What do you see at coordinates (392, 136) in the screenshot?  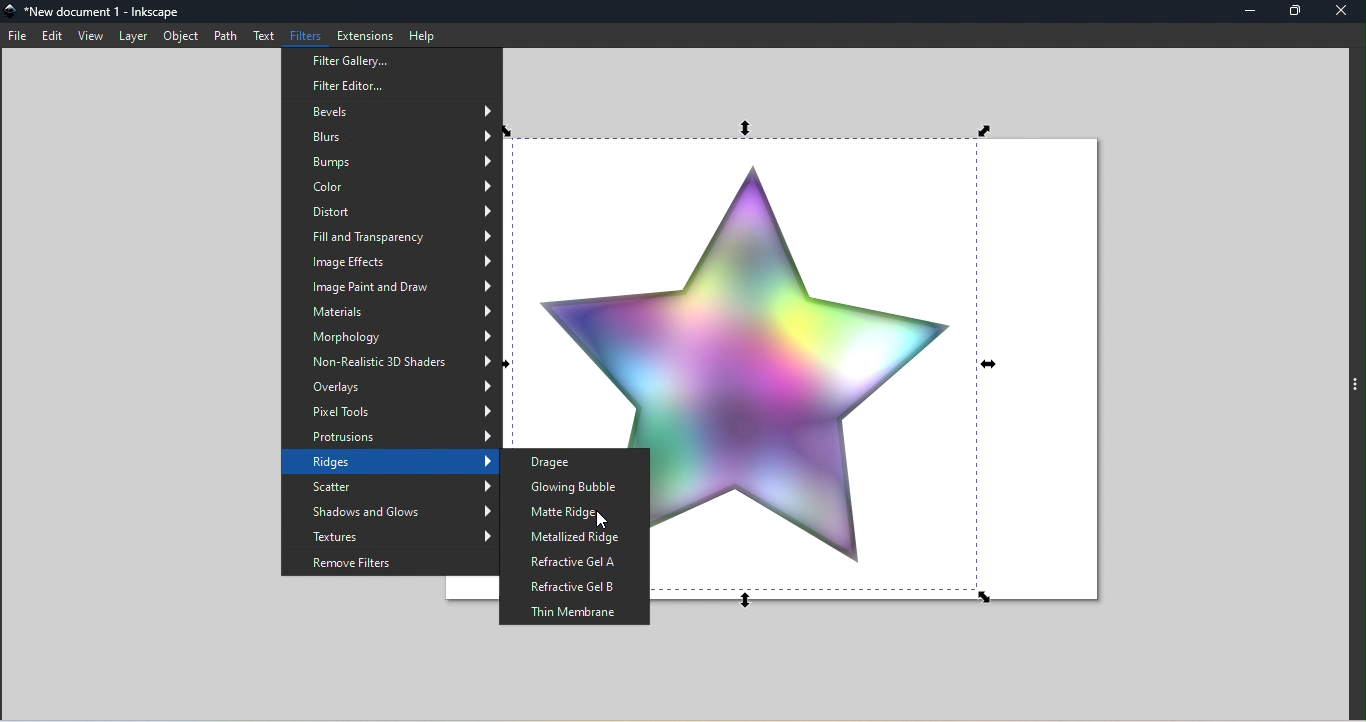 I see `Blurs` at bounding box center [392, 136].